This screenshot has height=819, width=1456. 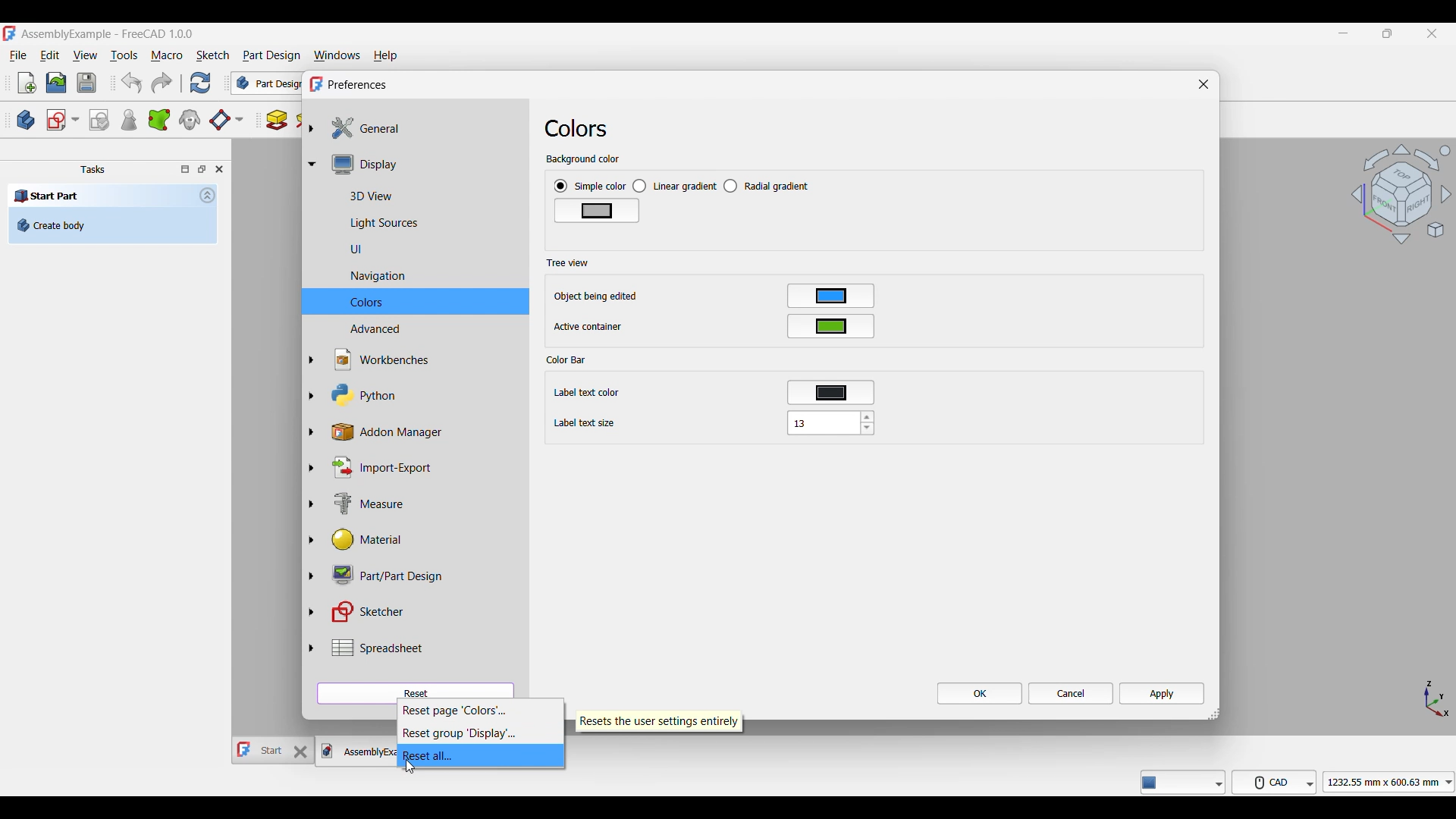 What do you see at coordinates (392, 433) in the screenshot?
I see `Addon manager` at bounding box center [392, 433].